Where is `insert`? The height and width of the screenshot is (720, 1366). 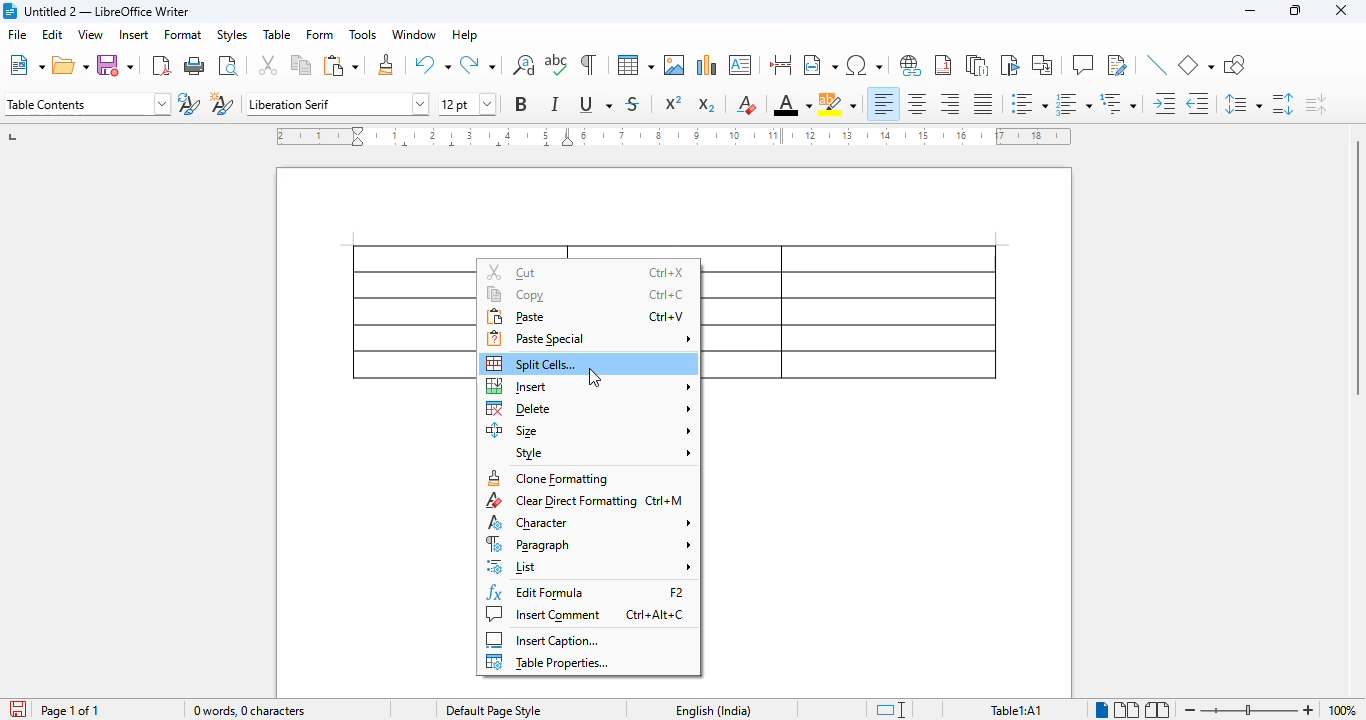
insert is located at coordinates (589, 386).